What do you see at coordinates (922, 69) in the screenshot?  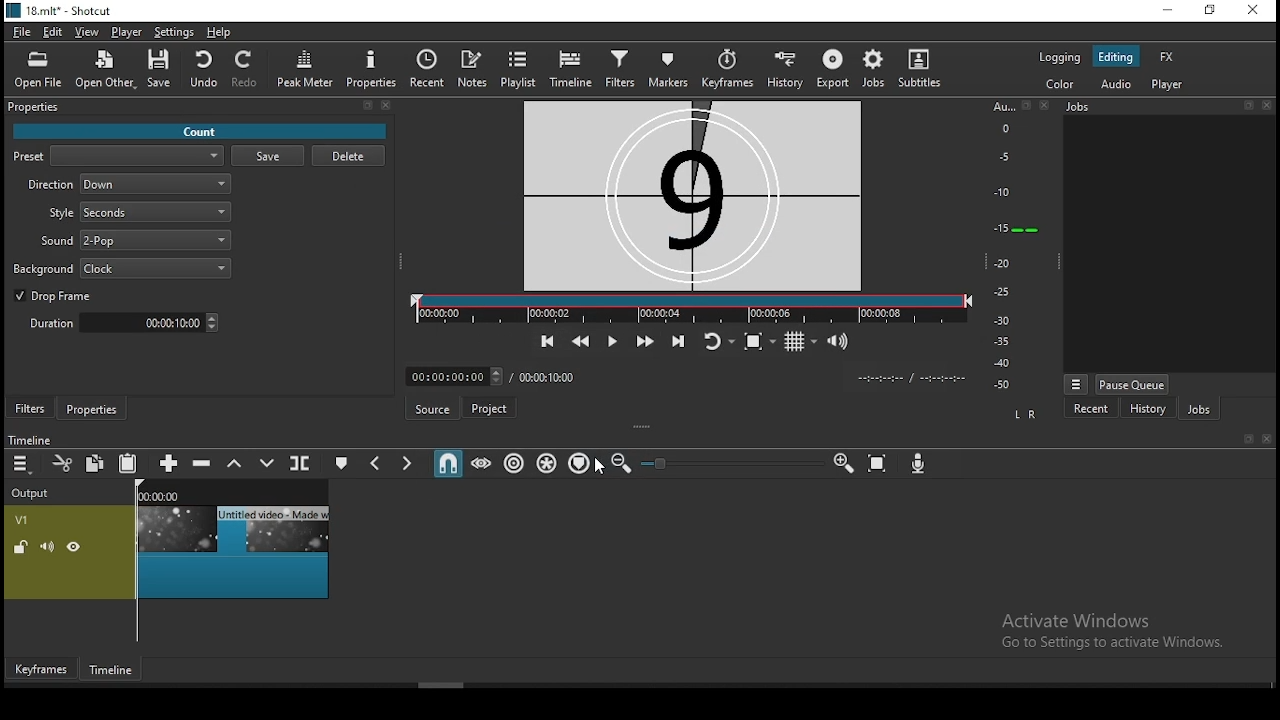 I see `subtitle` at bounding box center [922, 69].